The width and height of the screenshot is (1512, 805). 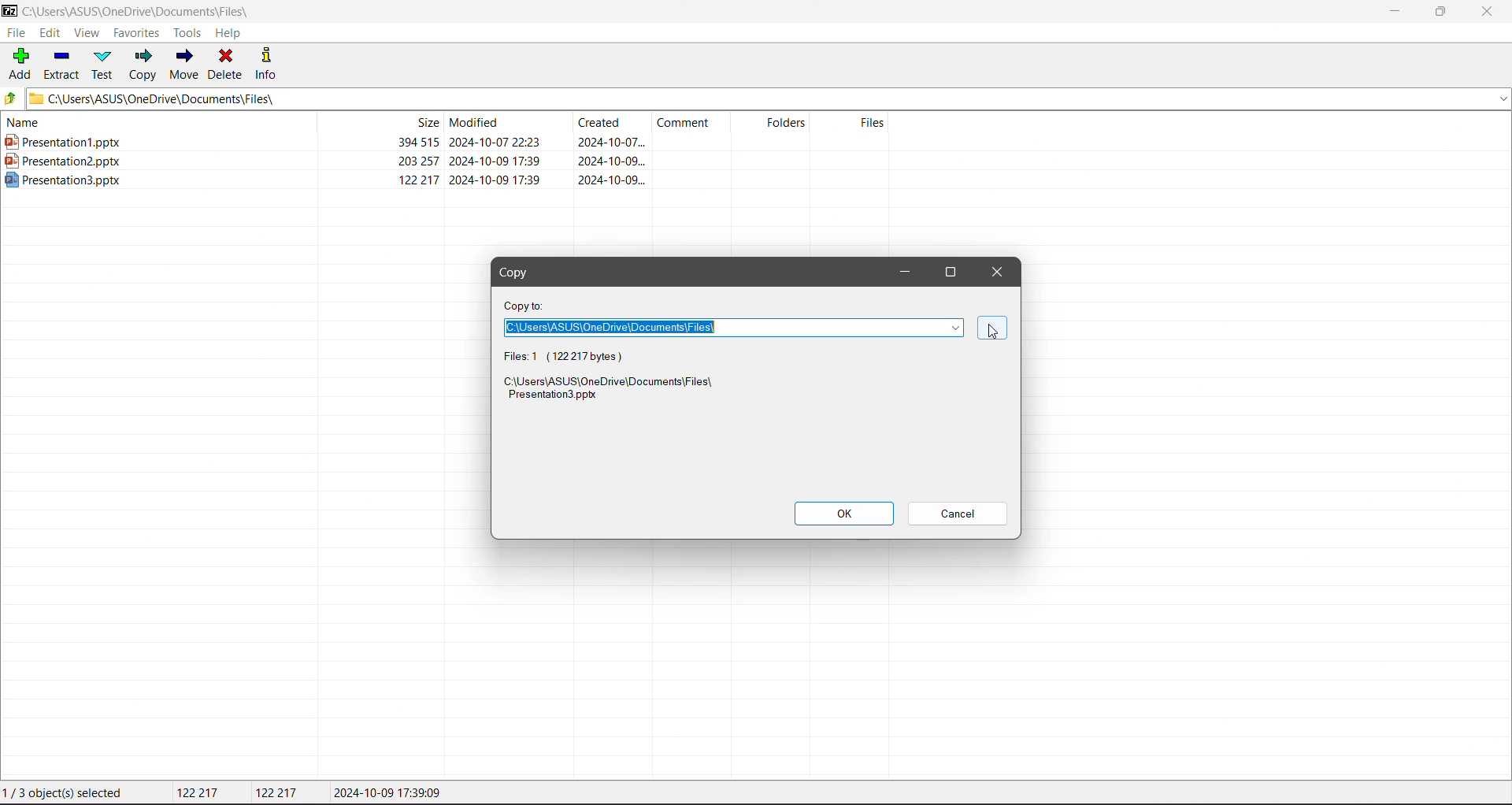 What do you see at coordinates (392, 793) in the screenshot?
I see `Modified date of the selected file` at bounding box center [392, 793].